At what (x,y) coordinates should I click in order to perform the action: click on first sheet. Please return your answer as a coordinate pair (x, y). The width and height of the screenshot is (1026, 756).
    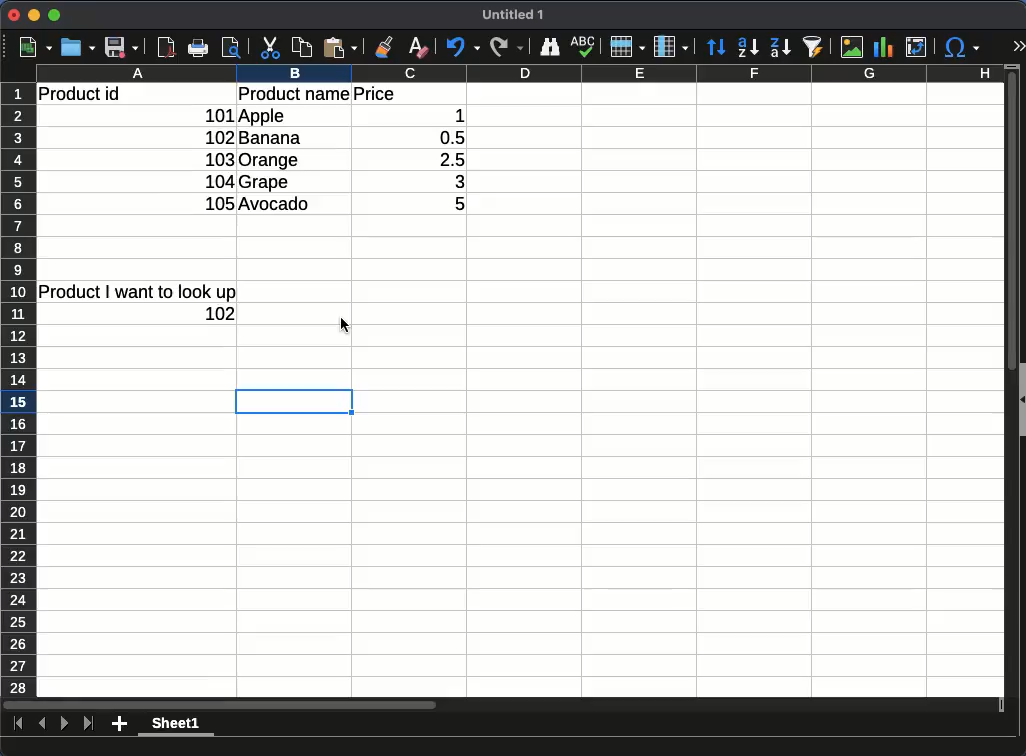
    Looking at the image, I should click on (19, 724).